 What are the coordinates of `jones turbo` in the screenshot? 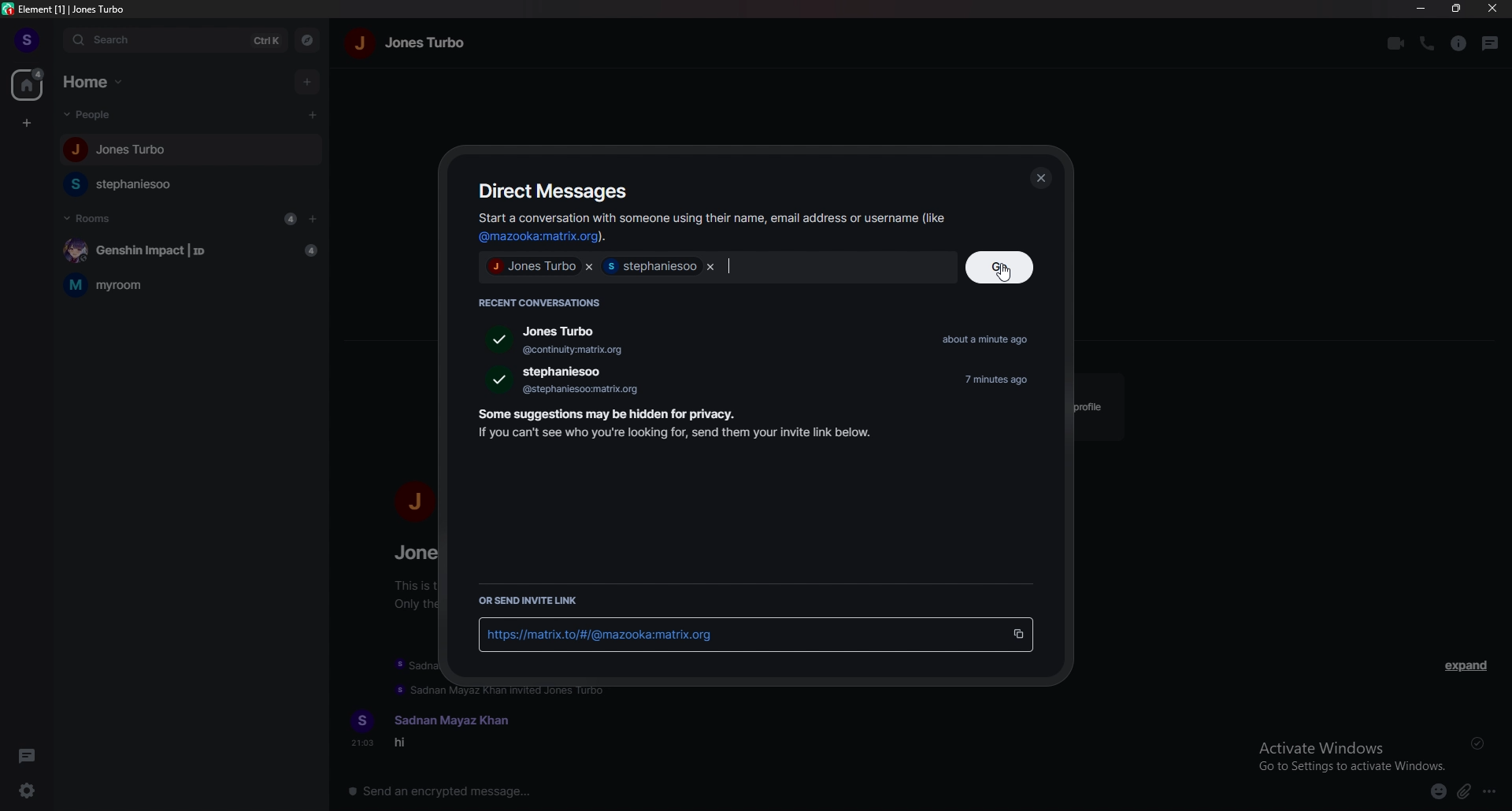 It's located at (427, 44).